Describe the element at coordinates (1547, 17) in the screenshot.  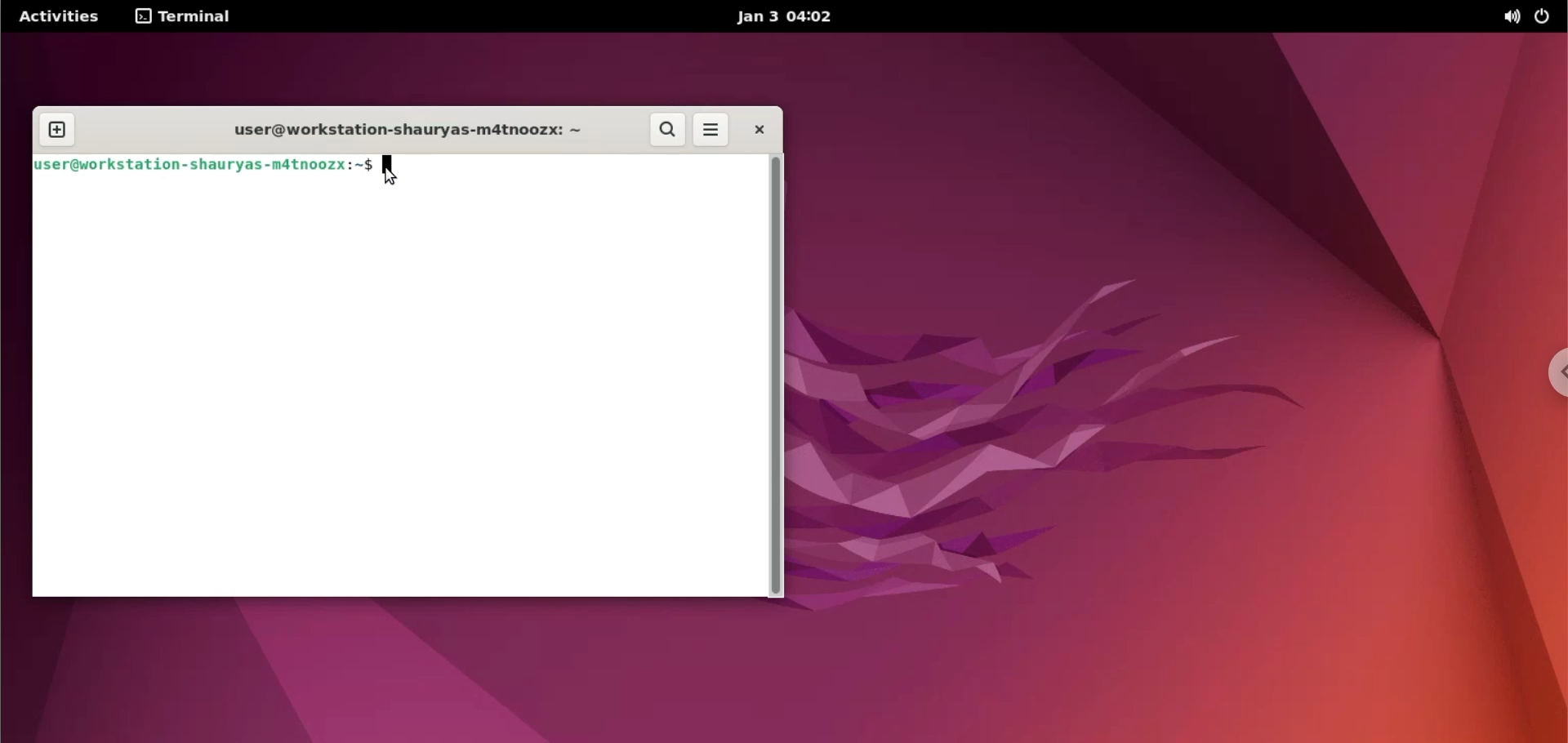
I see `power options` at that location.